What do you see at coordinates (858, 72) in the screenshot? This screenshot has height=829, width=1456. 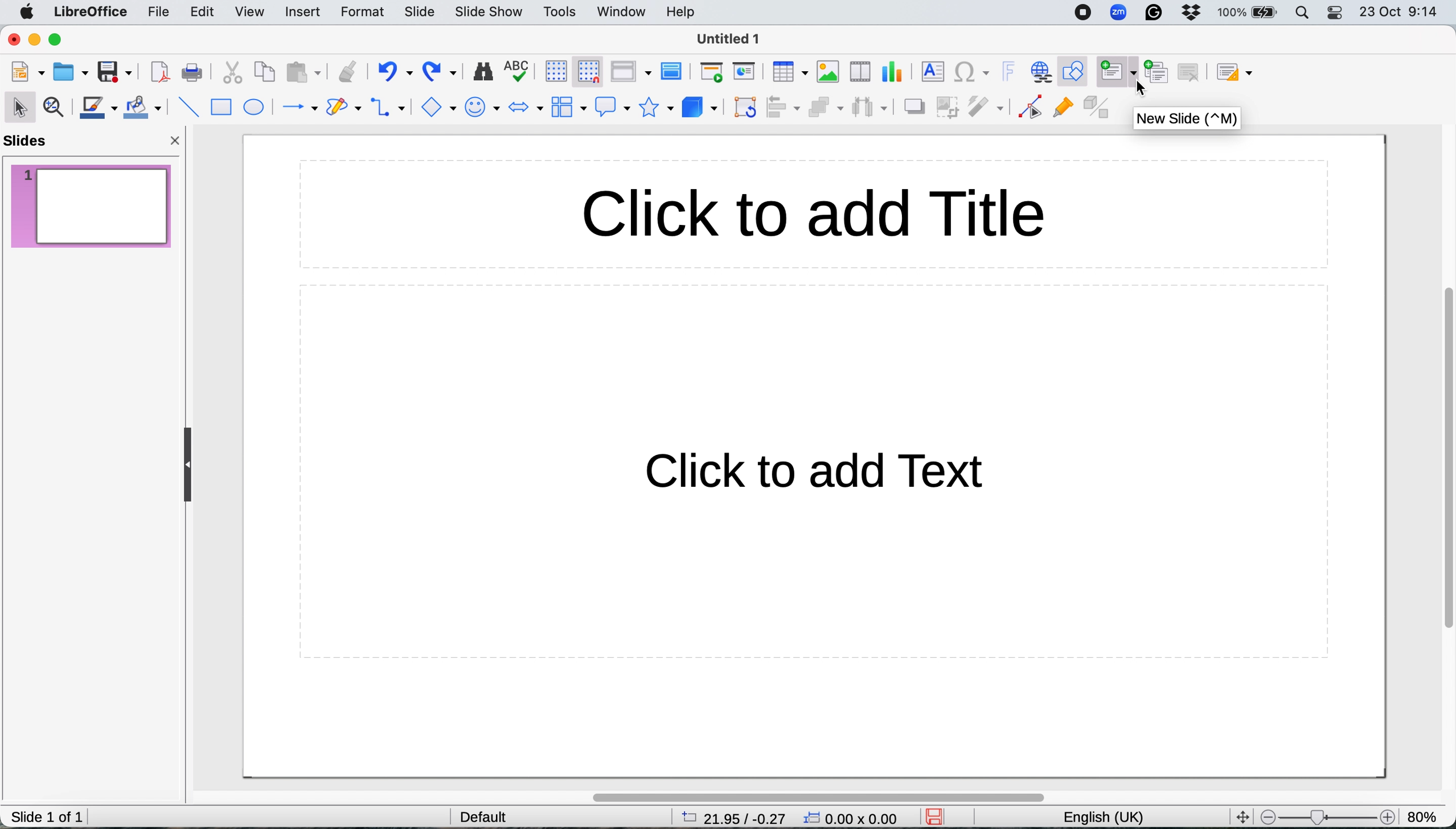 I see `insert audio or video` at bounding box center [858, 72].